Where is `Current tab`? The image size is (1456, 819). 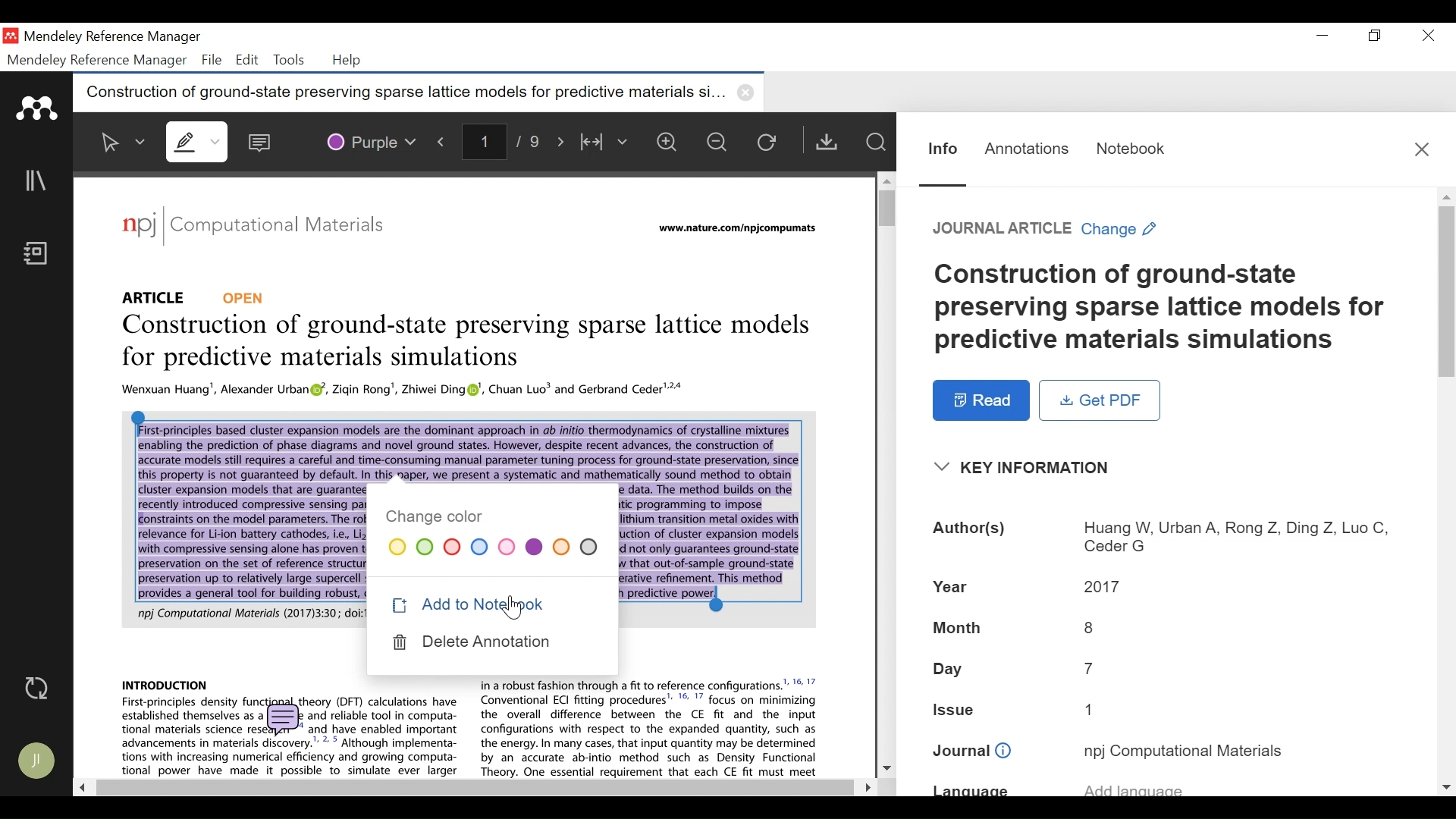 Current tab is located at coordinates (394, 93).